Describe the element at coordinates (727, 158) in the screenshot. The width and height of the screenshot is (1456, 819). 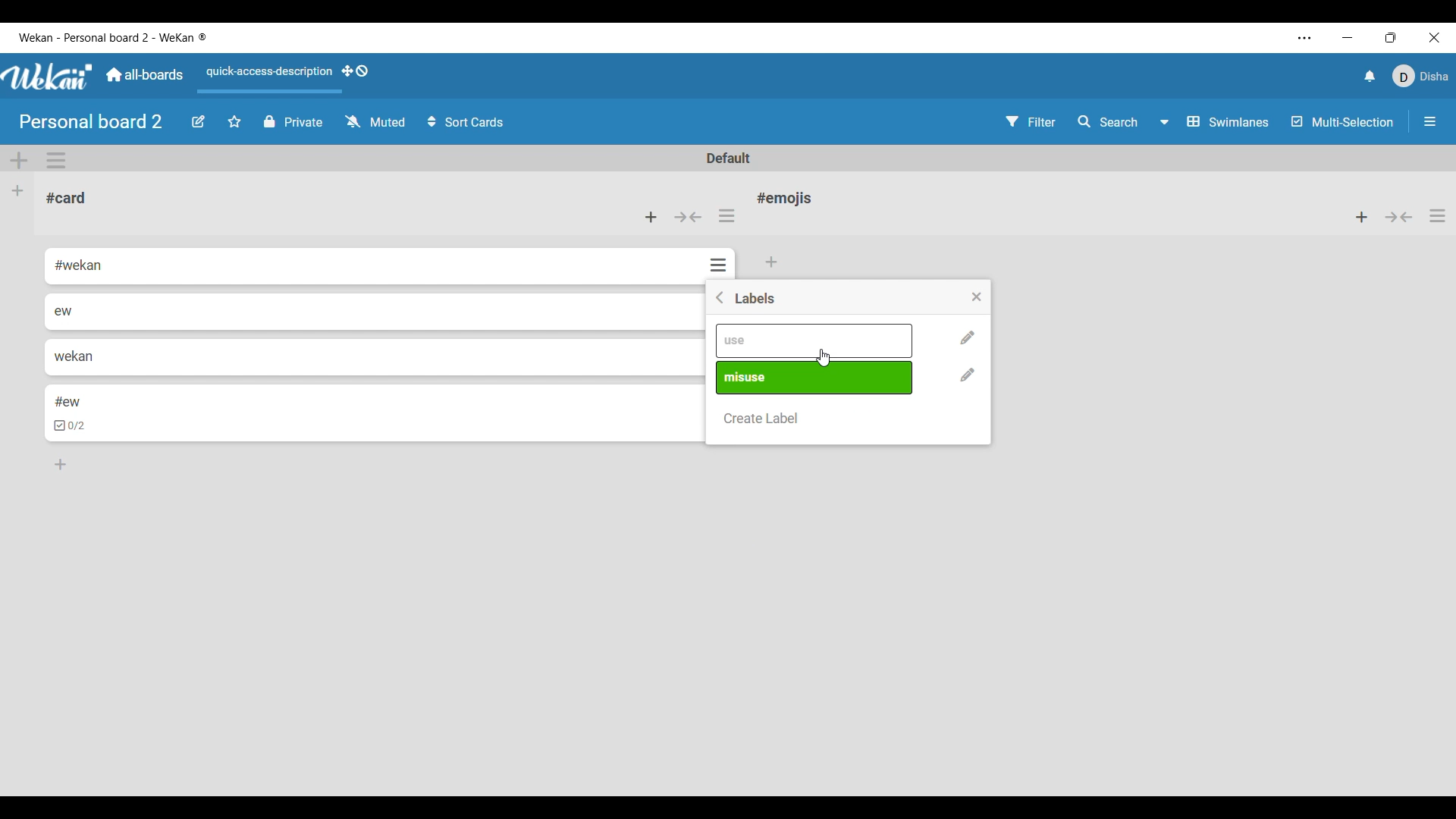
I see `Default` at that location.